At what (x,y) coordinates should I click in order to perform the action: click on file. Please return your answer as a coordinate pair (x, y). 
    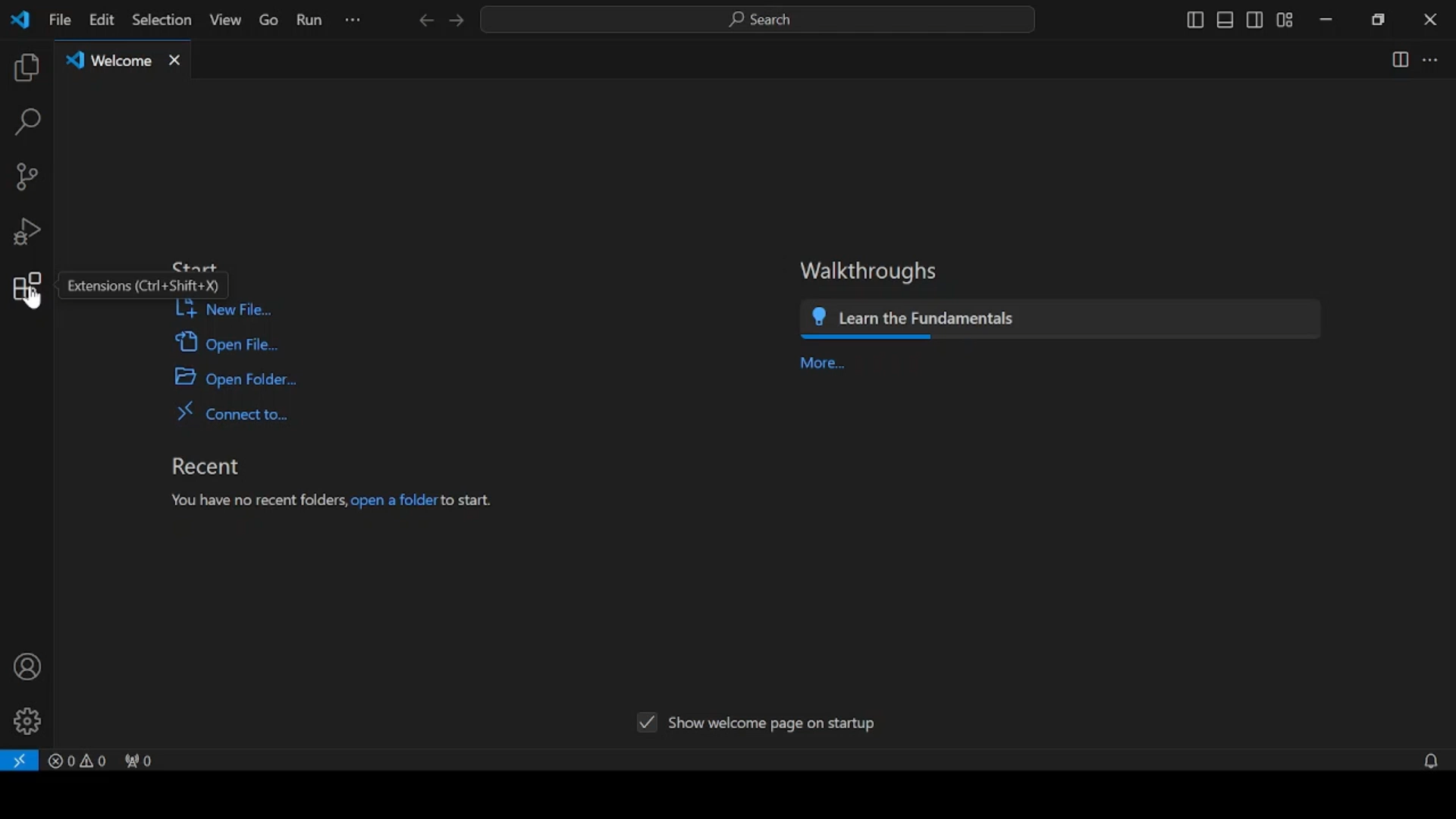
    Looking at the image, I should click on (60, 20).